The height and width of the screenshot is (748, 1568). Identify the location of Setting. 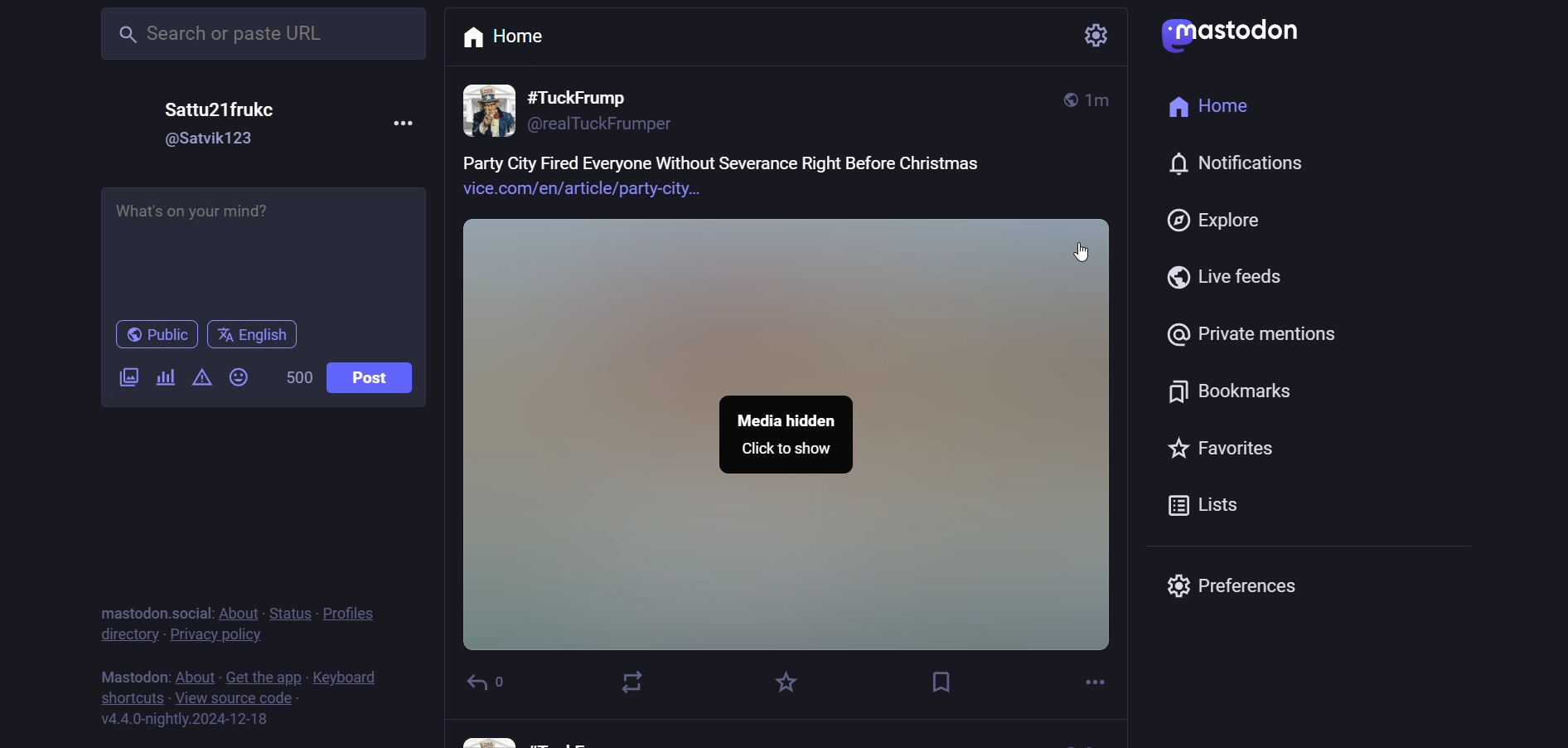
(1091, 37).